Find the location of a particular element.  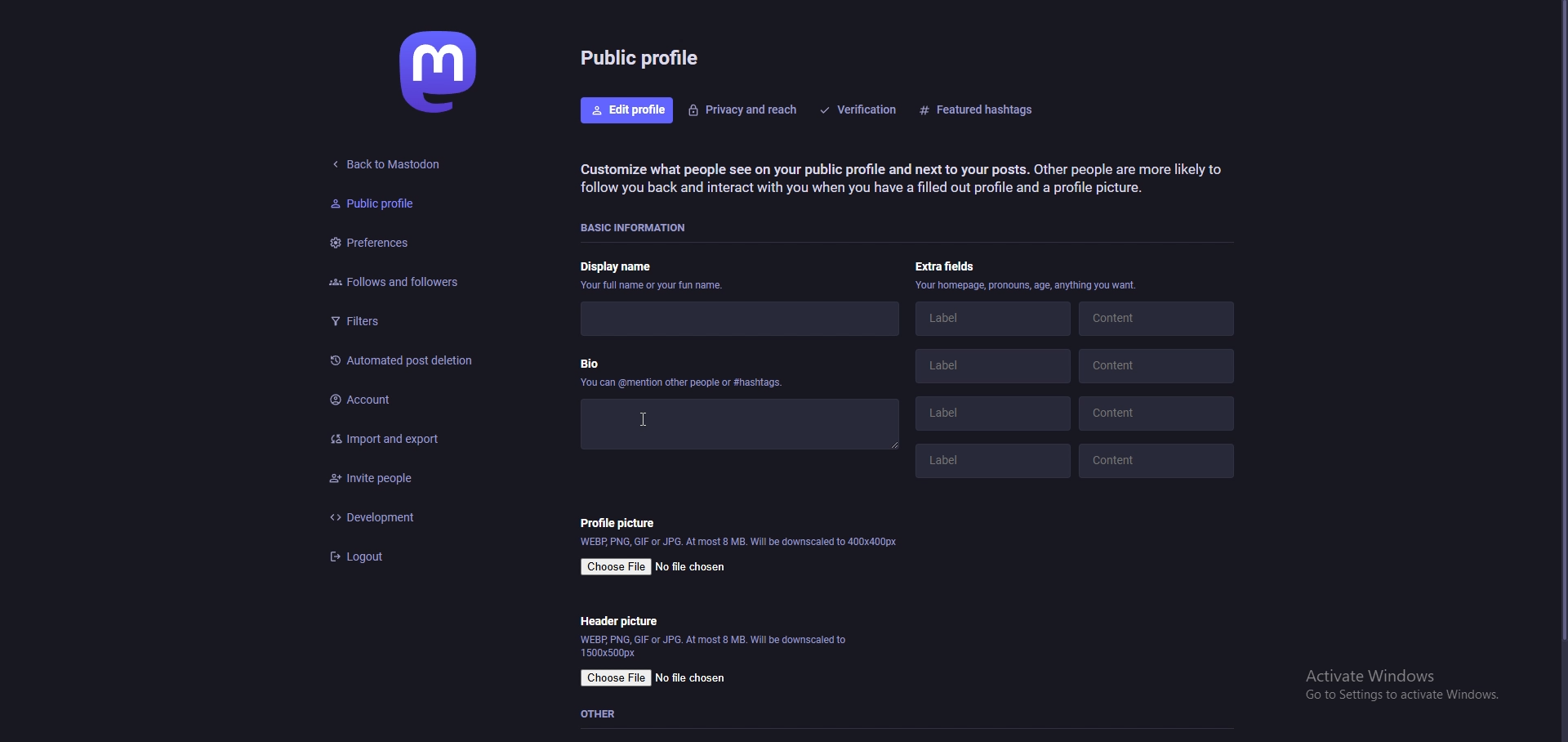

content is located at coordinates (1158, 413).